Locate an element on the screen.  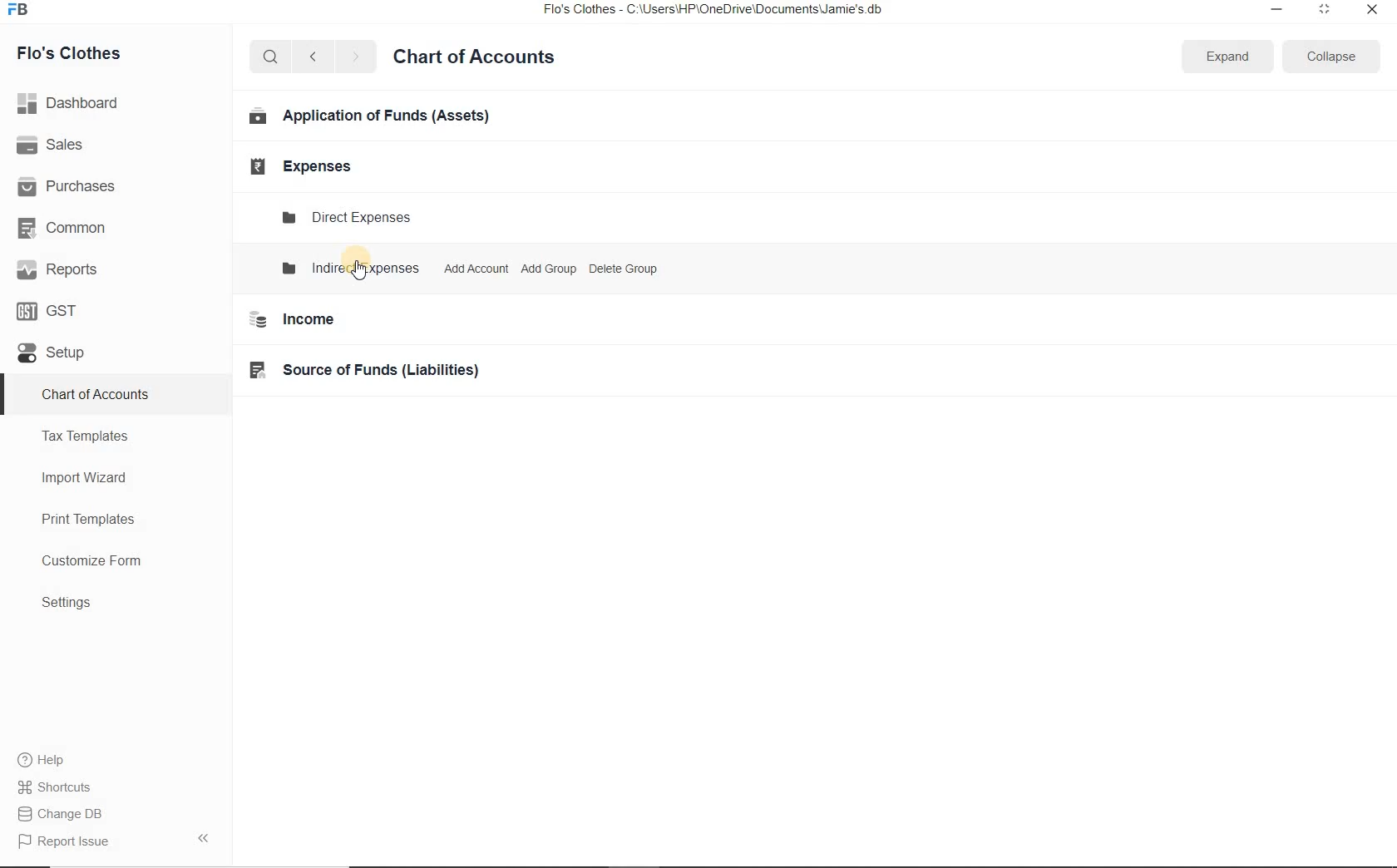
Import Wizard is located at coordinates (86, 477).